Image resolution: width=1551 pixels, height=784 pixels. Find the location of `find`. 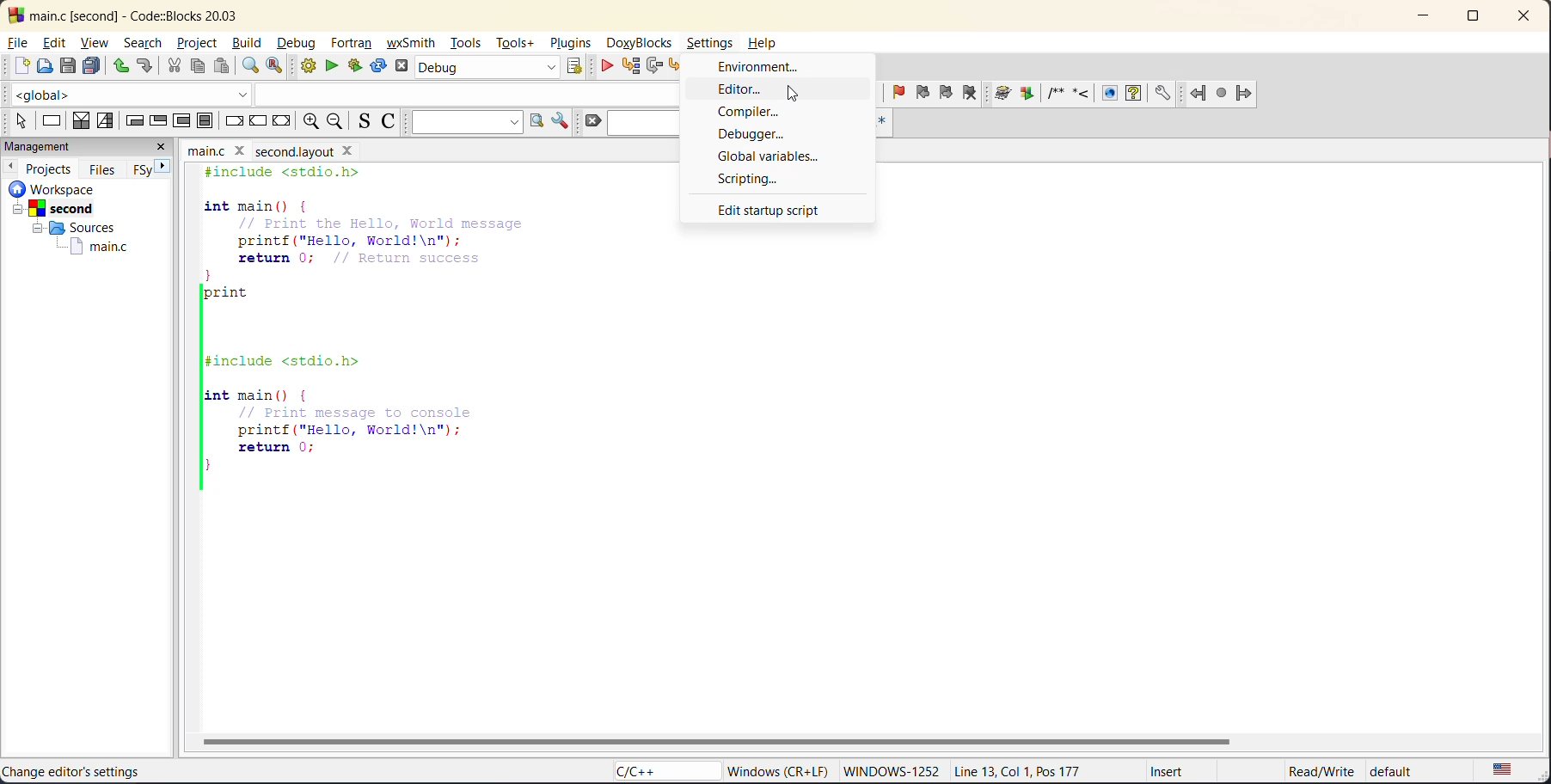

find is located at coordinates (251, 66).